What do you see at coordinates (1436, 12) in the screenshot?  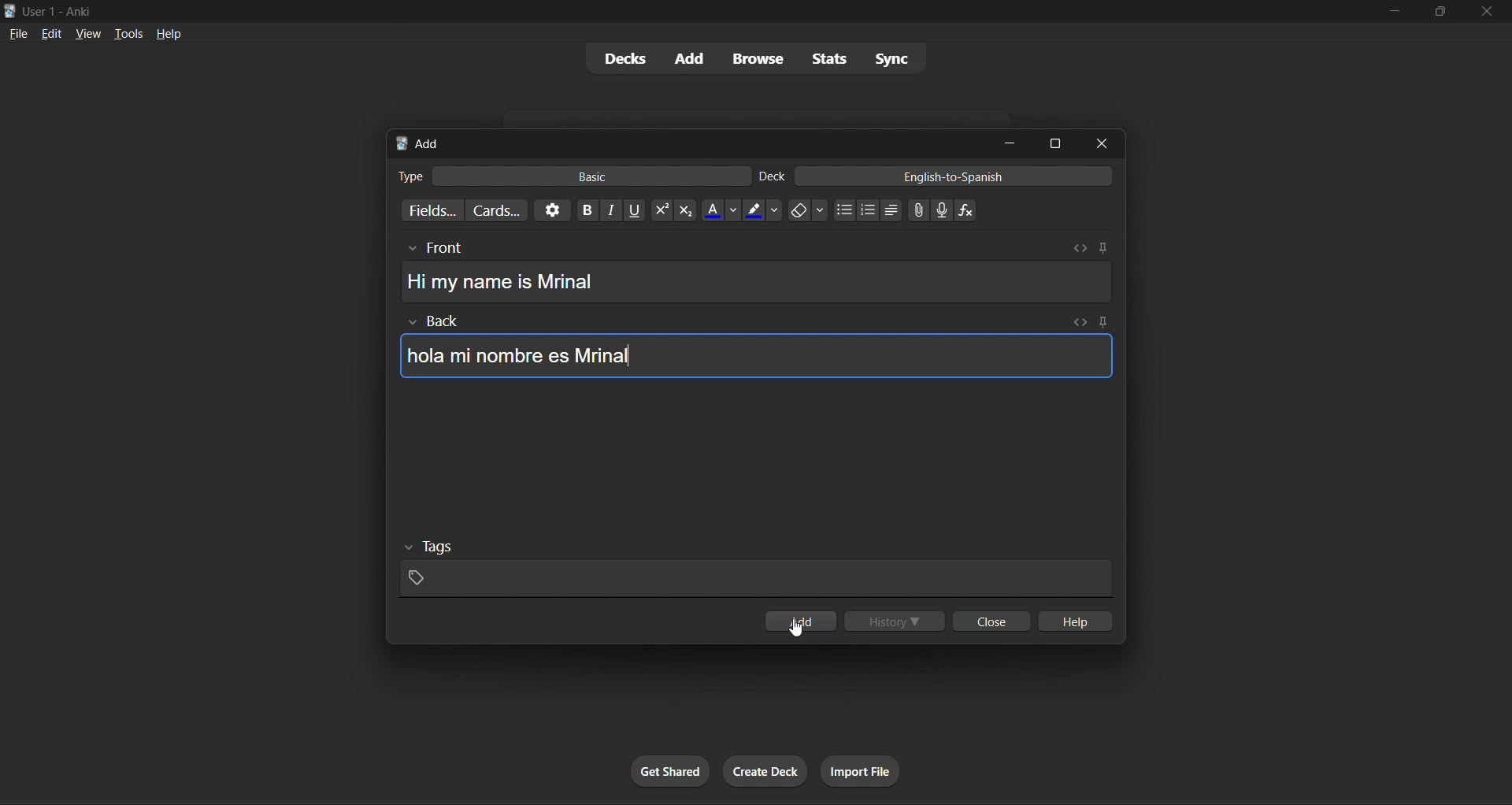 I see `maximize/restore` at bounding box center [1436, 12].